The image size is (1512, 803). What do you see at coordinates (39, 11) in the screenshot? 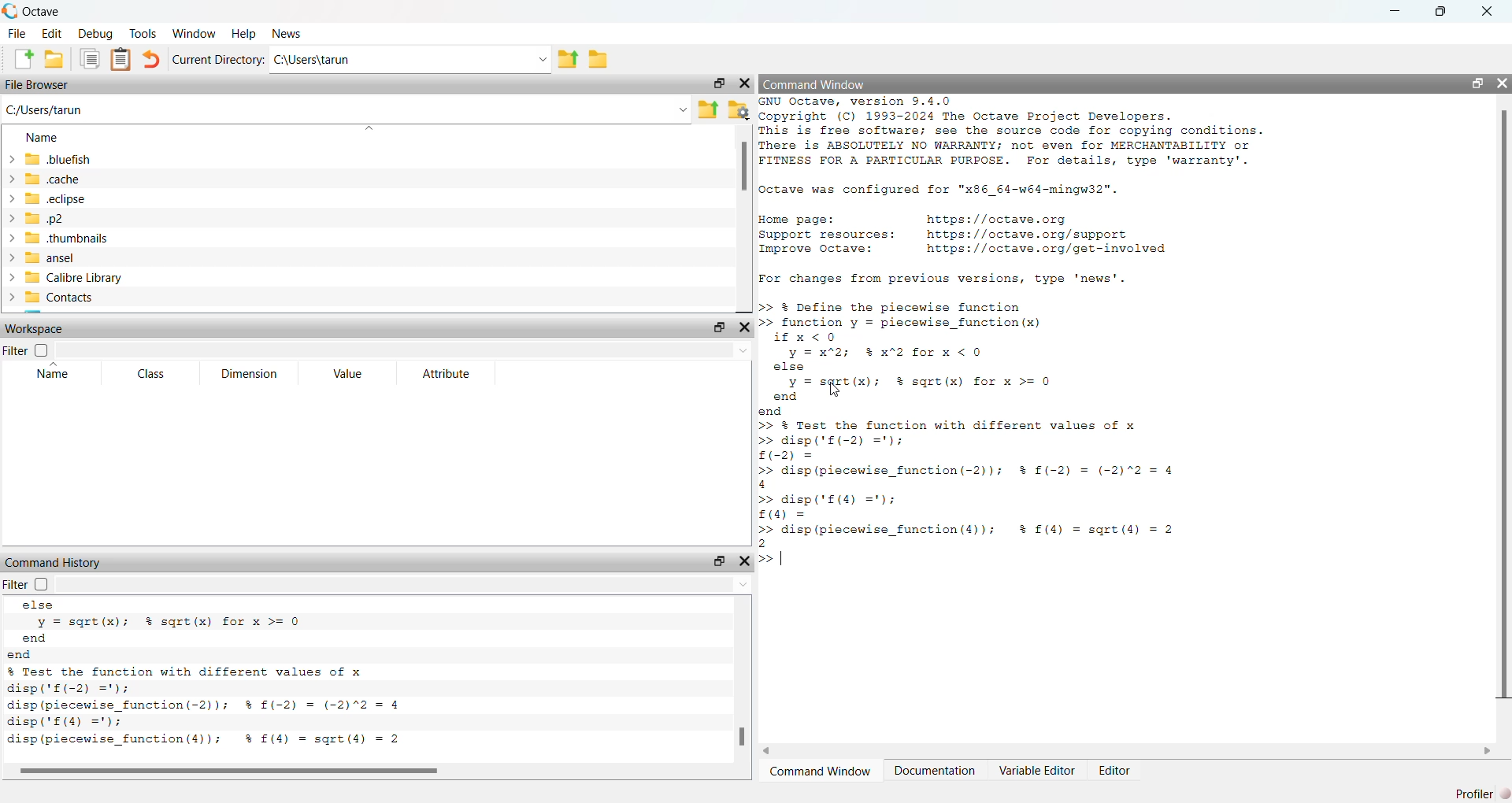
I see `Octave` at bounding box center [39, 11].